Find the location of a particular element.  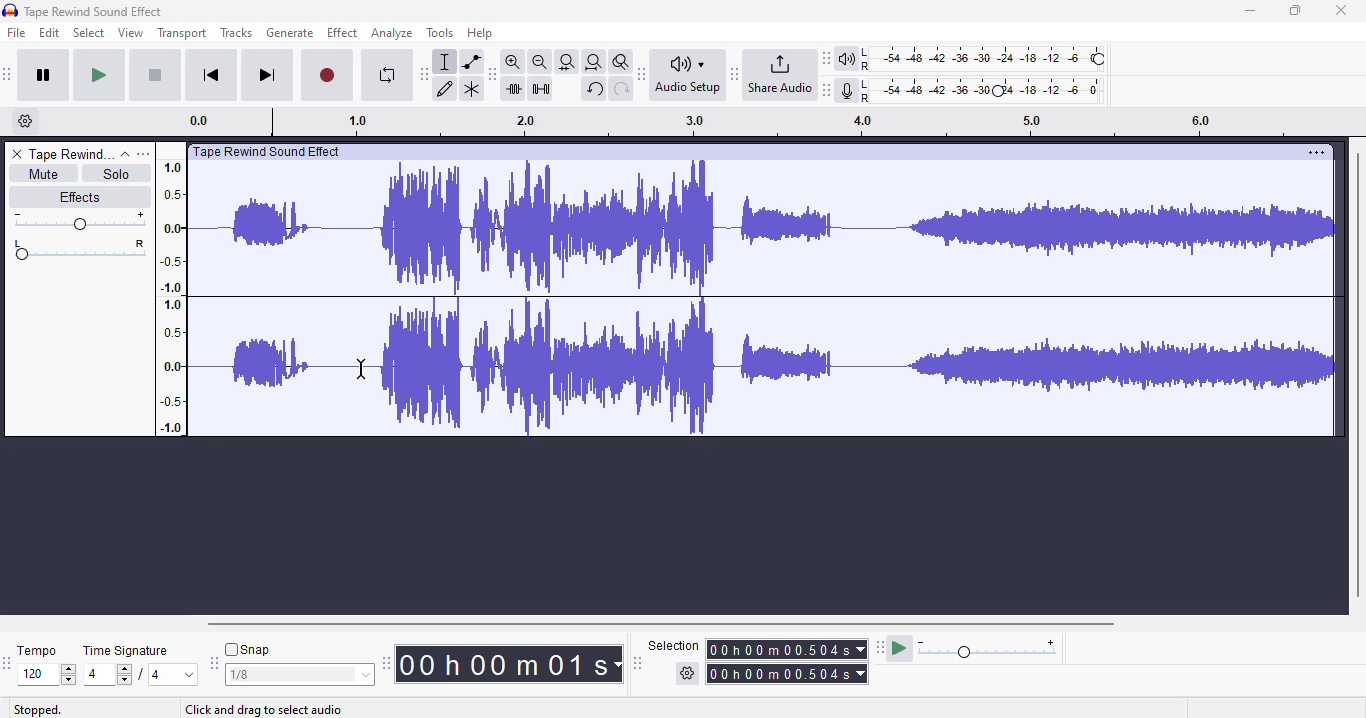

open menu is located at coordinates (143, 154).